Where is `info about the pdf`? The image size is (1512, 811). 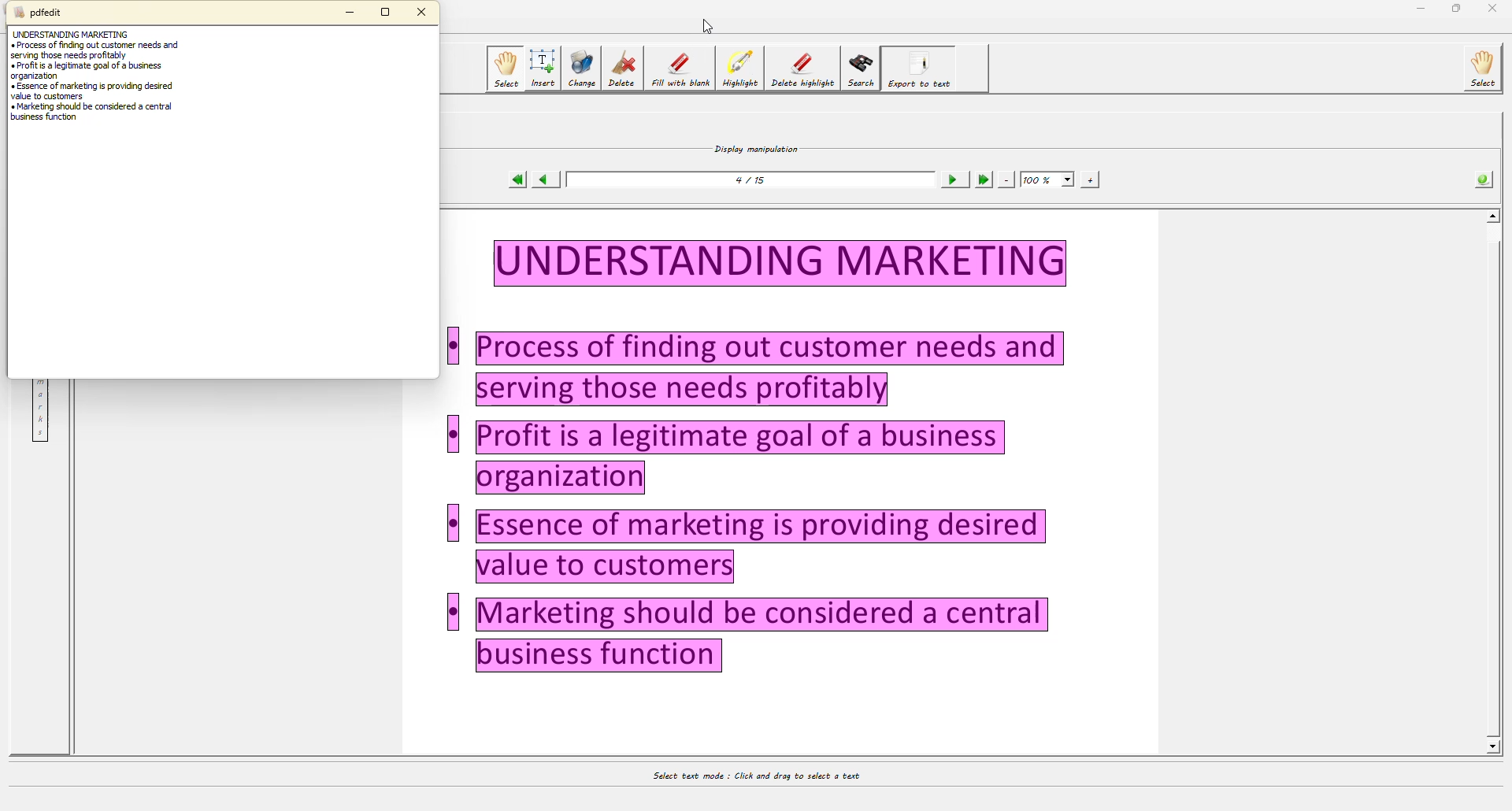 info about the pdf is located at coordinates (1484, 178).